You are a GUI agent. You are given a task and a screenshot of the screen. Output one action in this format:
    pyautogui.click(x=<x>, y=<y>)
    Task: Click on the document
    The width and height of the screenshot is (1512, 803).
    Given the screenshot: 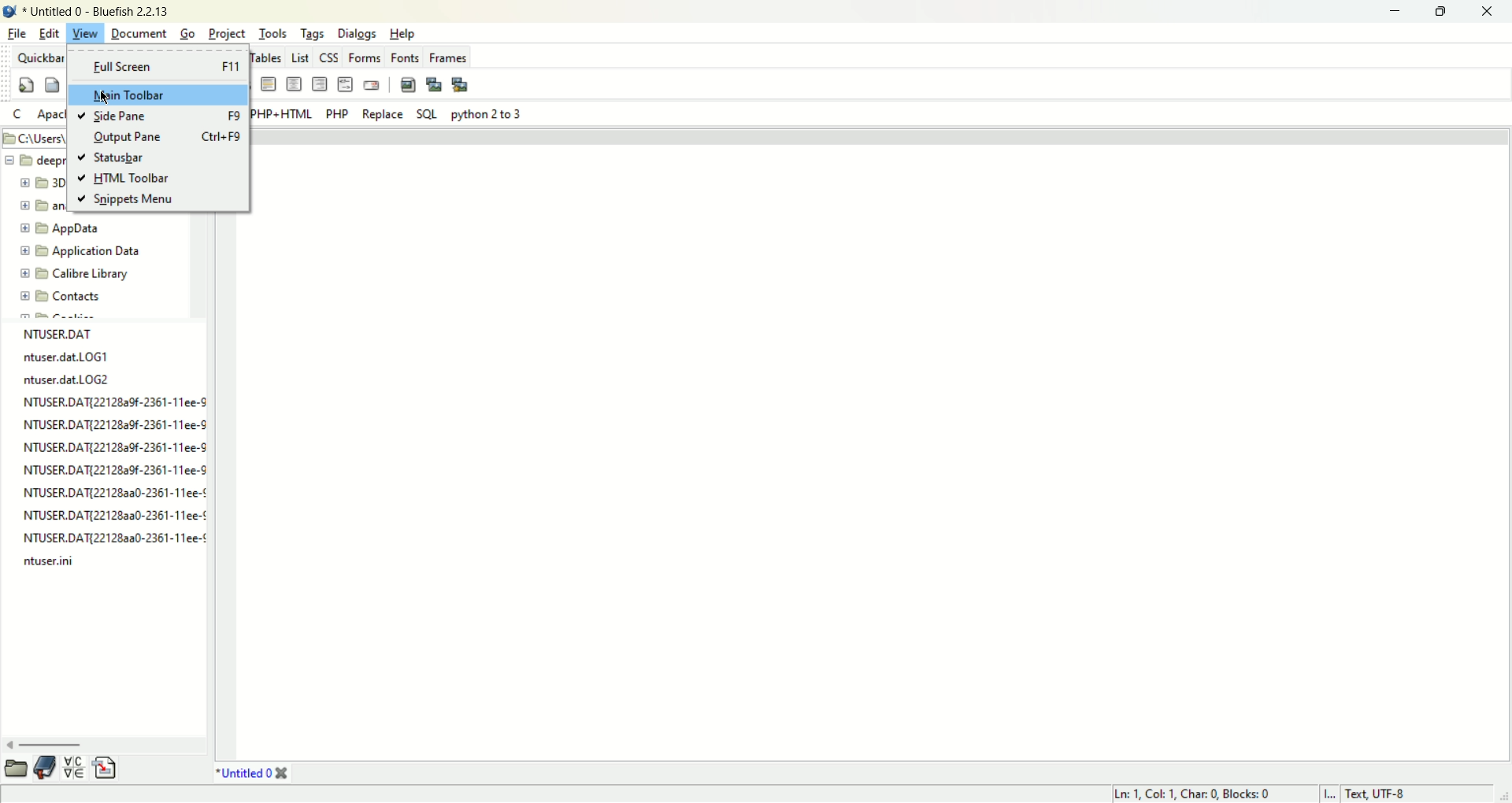 What is the action you would take?
    pyautogui.click(x=139, y=33)
    